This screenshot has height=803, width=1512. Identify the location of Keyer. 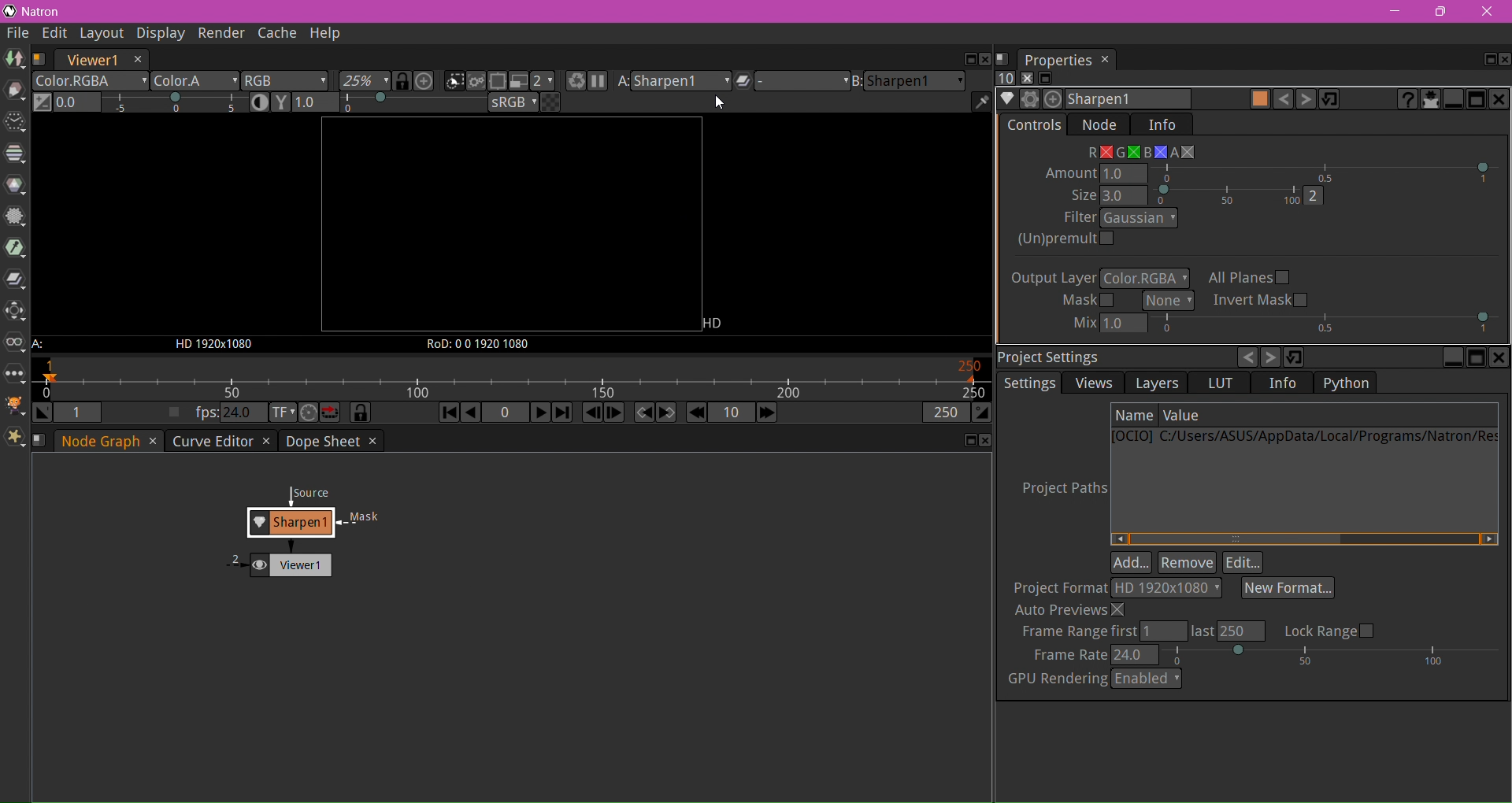
(16, 249).